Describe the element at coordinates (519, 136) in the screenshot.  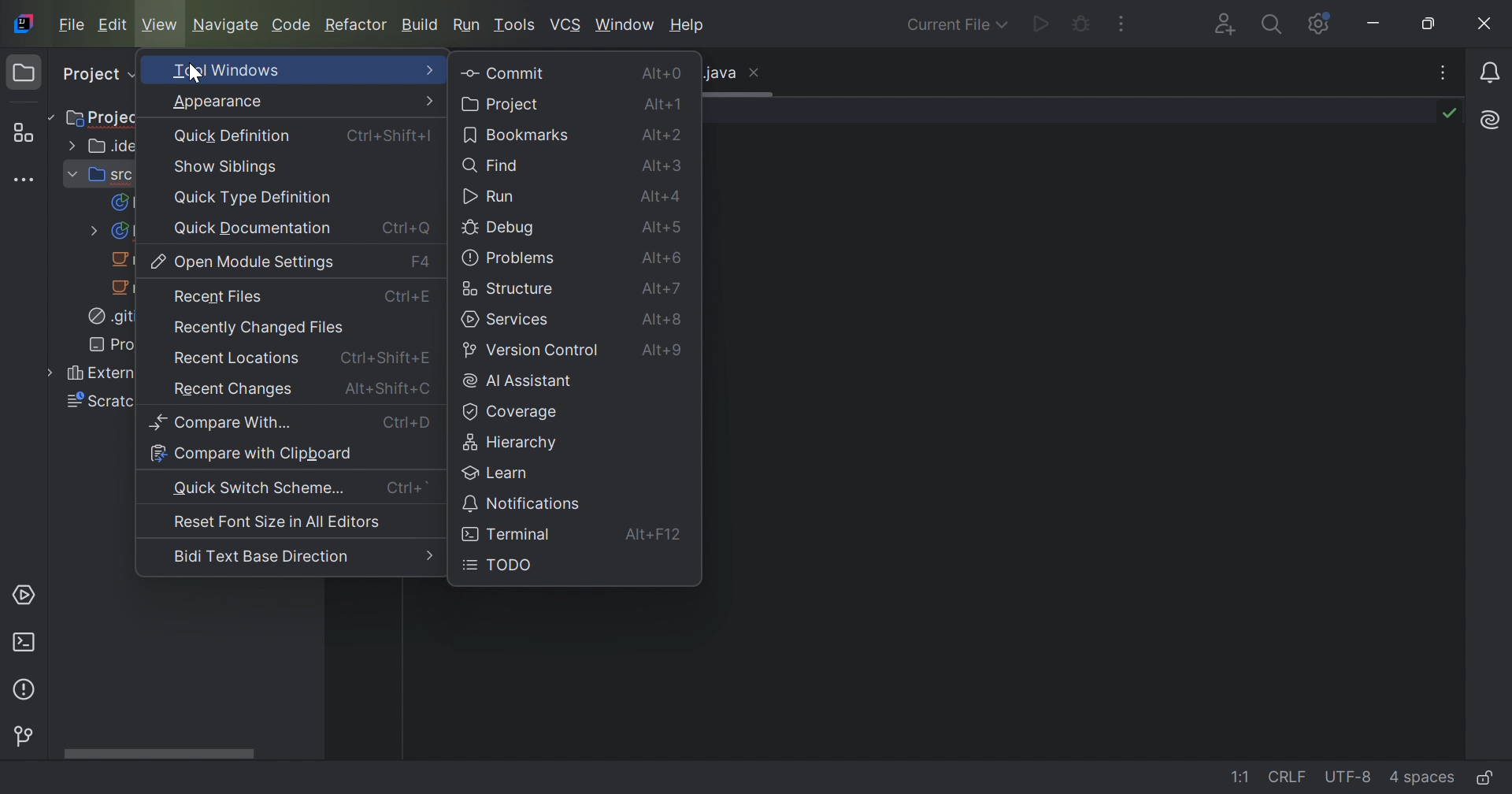
I see `Bookmarks` at that location.